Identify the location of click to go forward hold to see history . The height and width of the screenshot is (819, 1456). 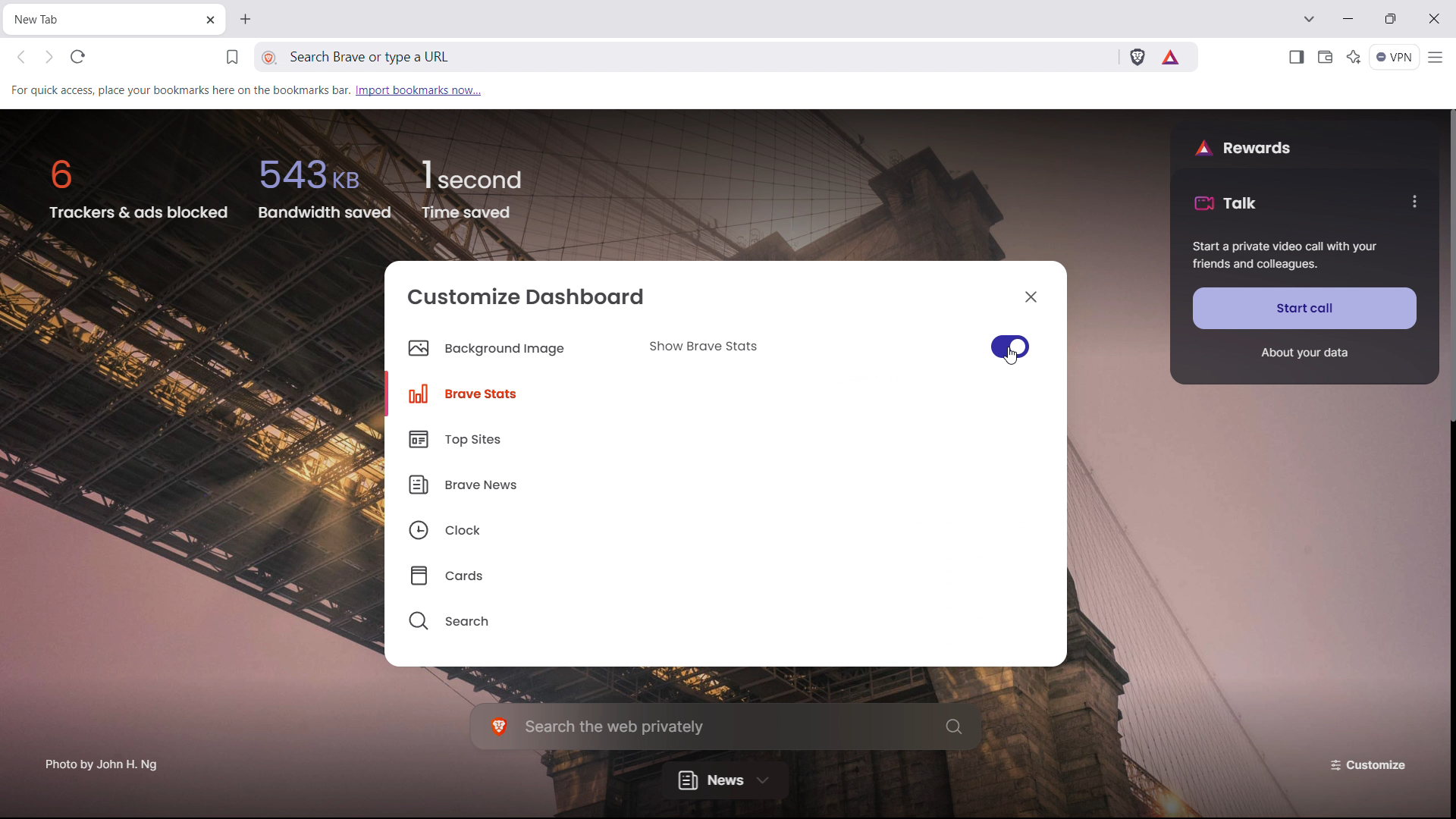
(49, 56).